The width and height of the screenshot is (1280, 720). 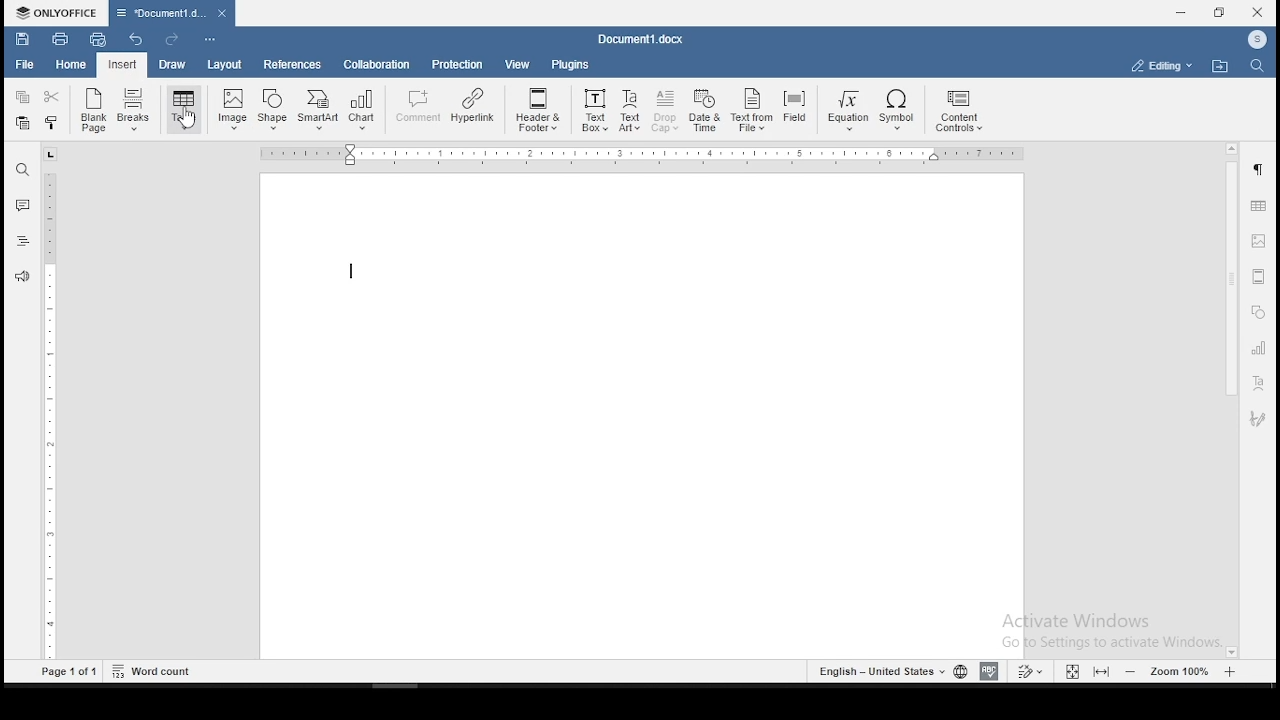 What do you see at coordinates (537, 110) in the screenshot?
I see `Header & Footer` at bounding box center [537, 110].